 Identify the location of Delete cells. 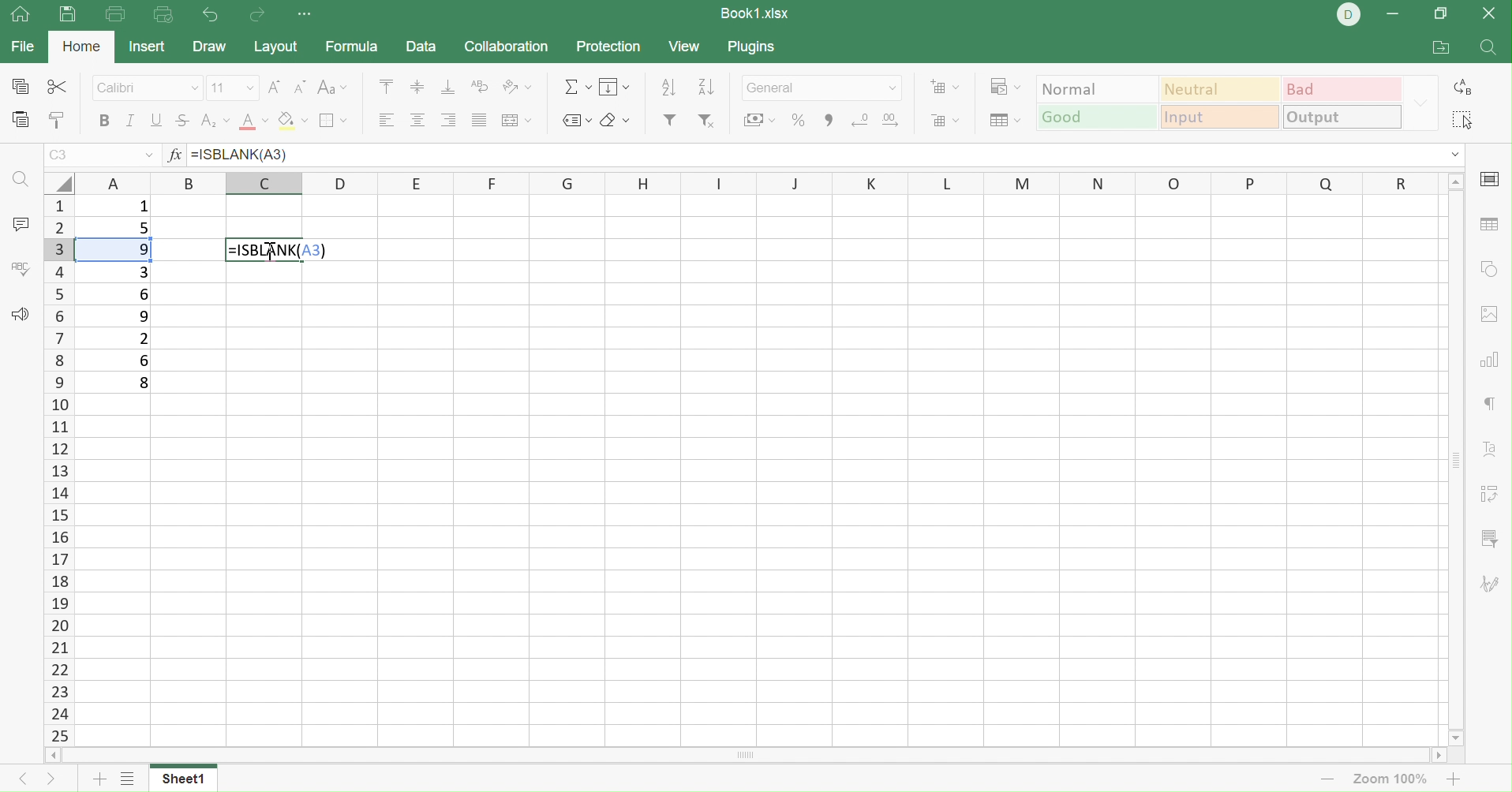
(946, 123).